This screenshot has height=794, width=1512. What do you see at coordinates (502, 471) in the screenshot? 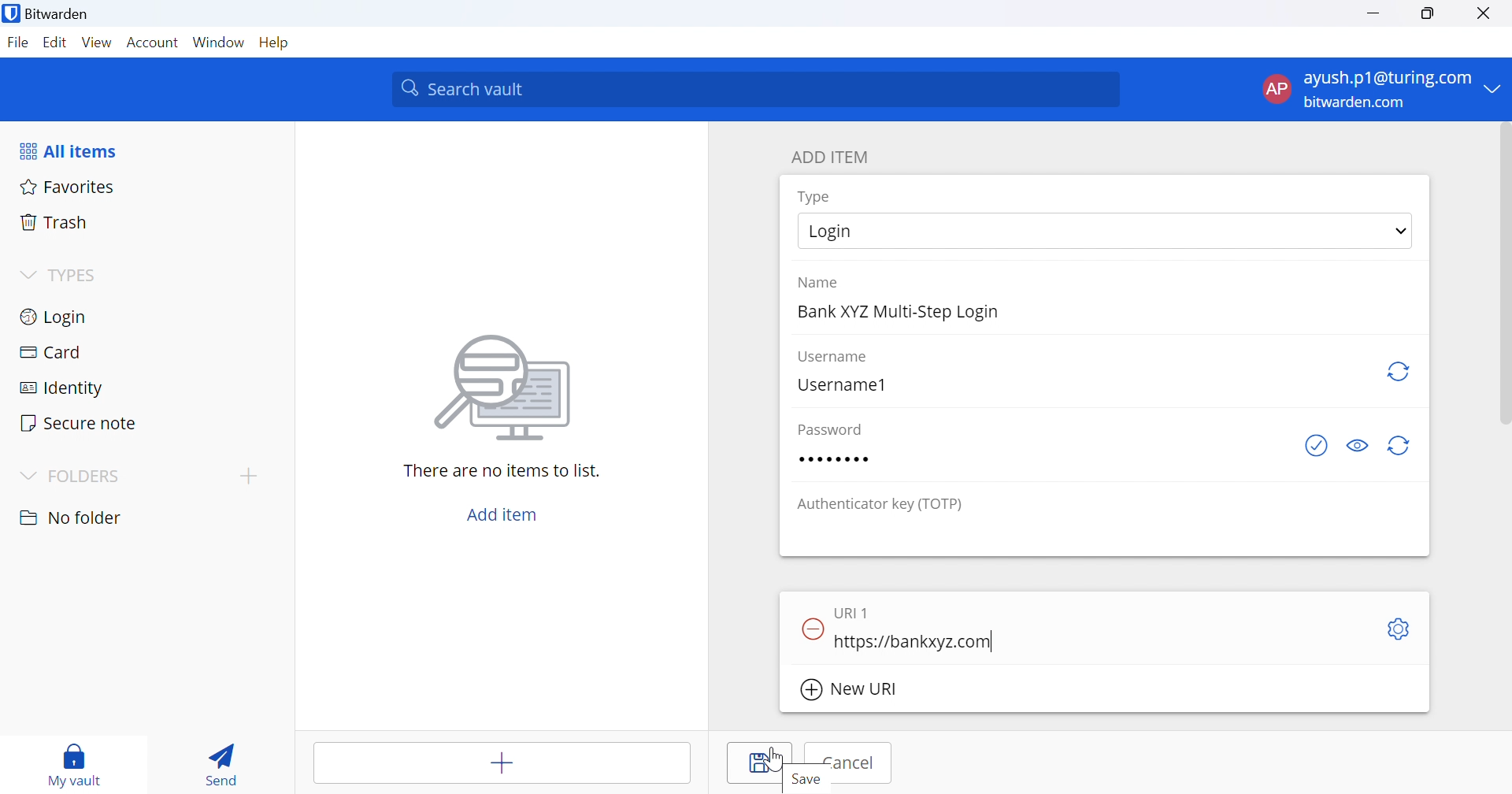
I see `There are no items to list.` at bounding box center [502, 471].